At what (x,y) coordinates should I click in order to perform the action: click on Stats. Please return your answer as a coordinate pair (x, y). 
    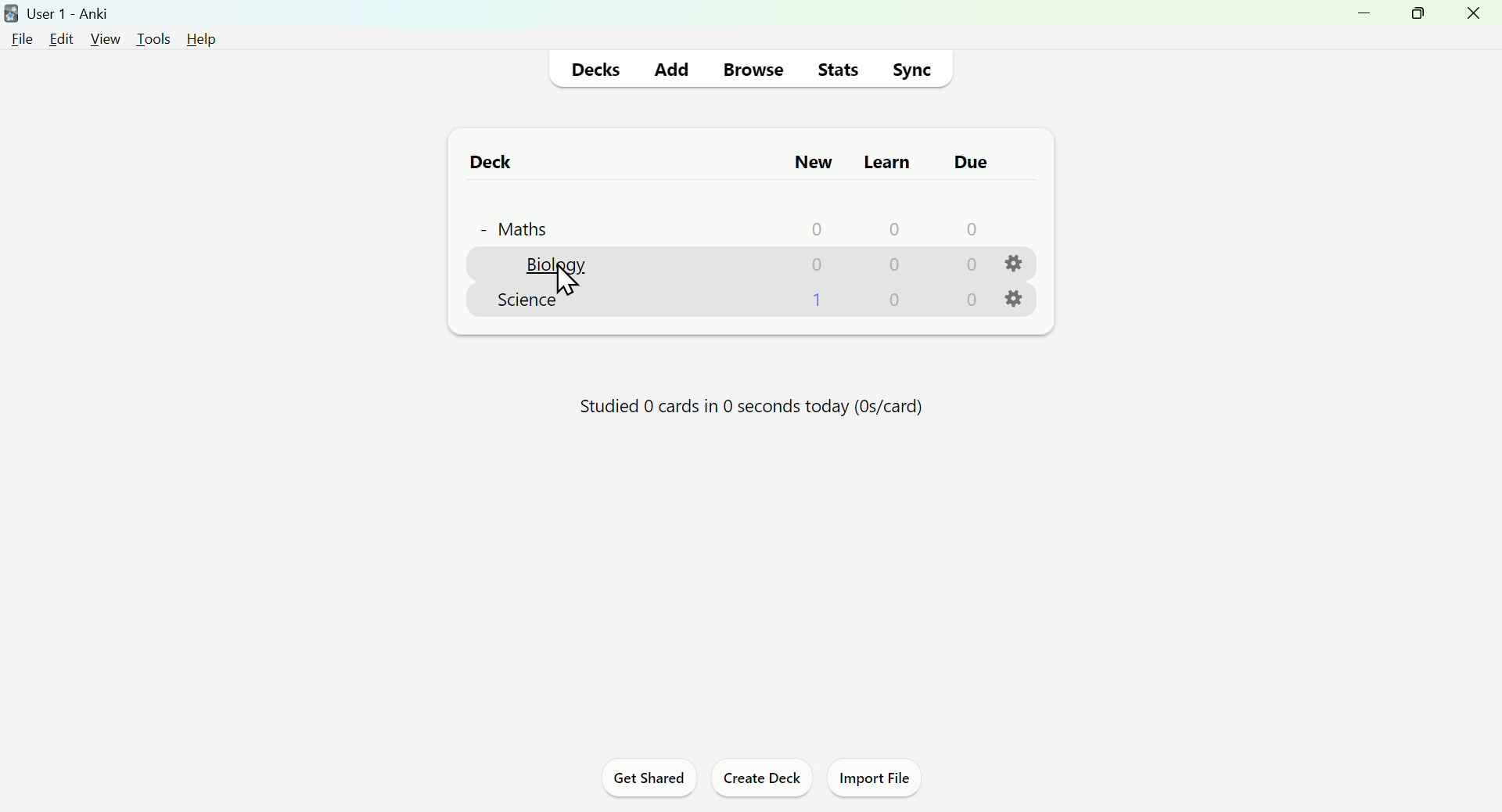
    Looking at the image, I should click on (835, 68).